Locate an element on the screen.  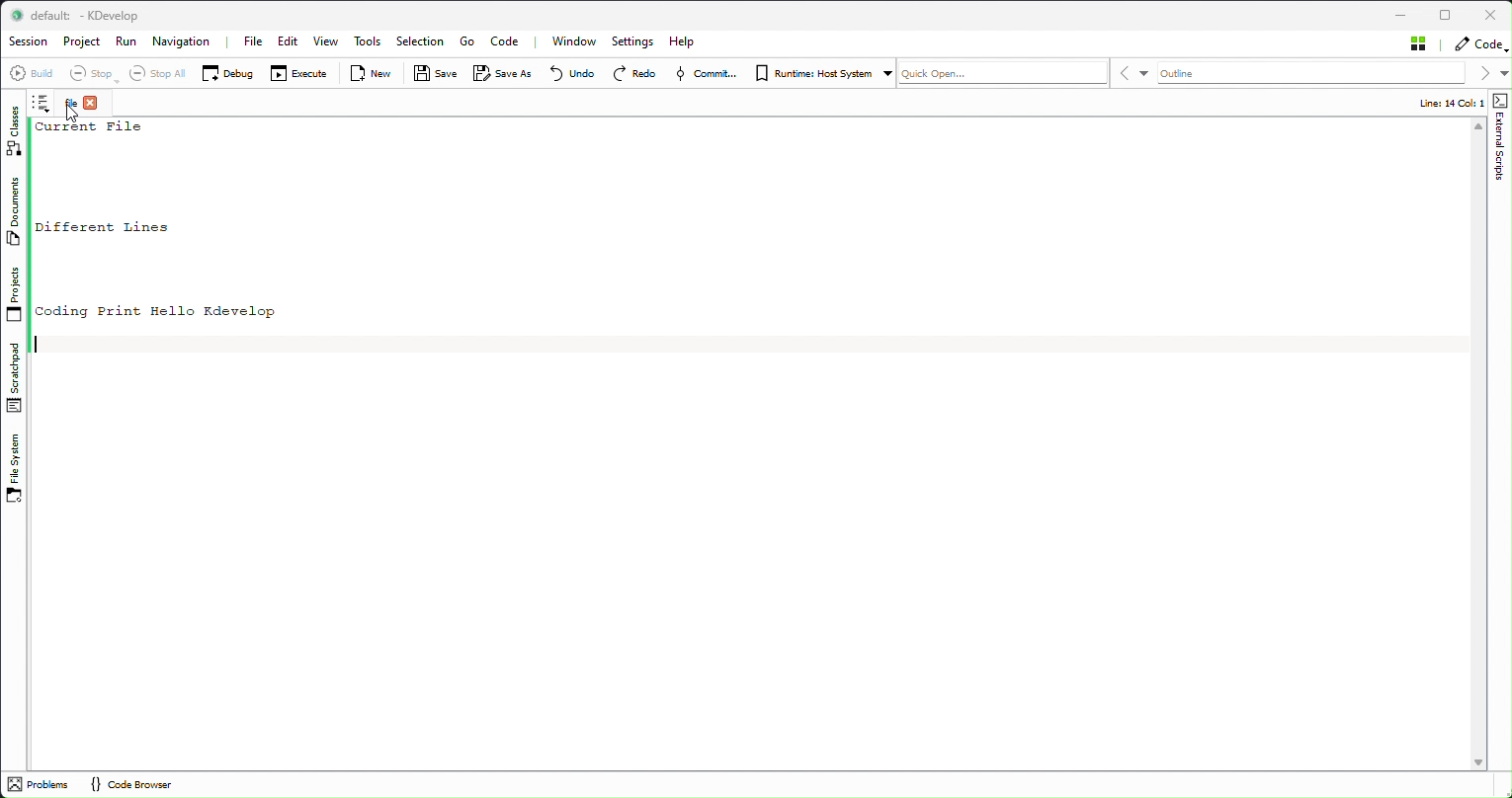
Execute is located at coordinates (304, 74).